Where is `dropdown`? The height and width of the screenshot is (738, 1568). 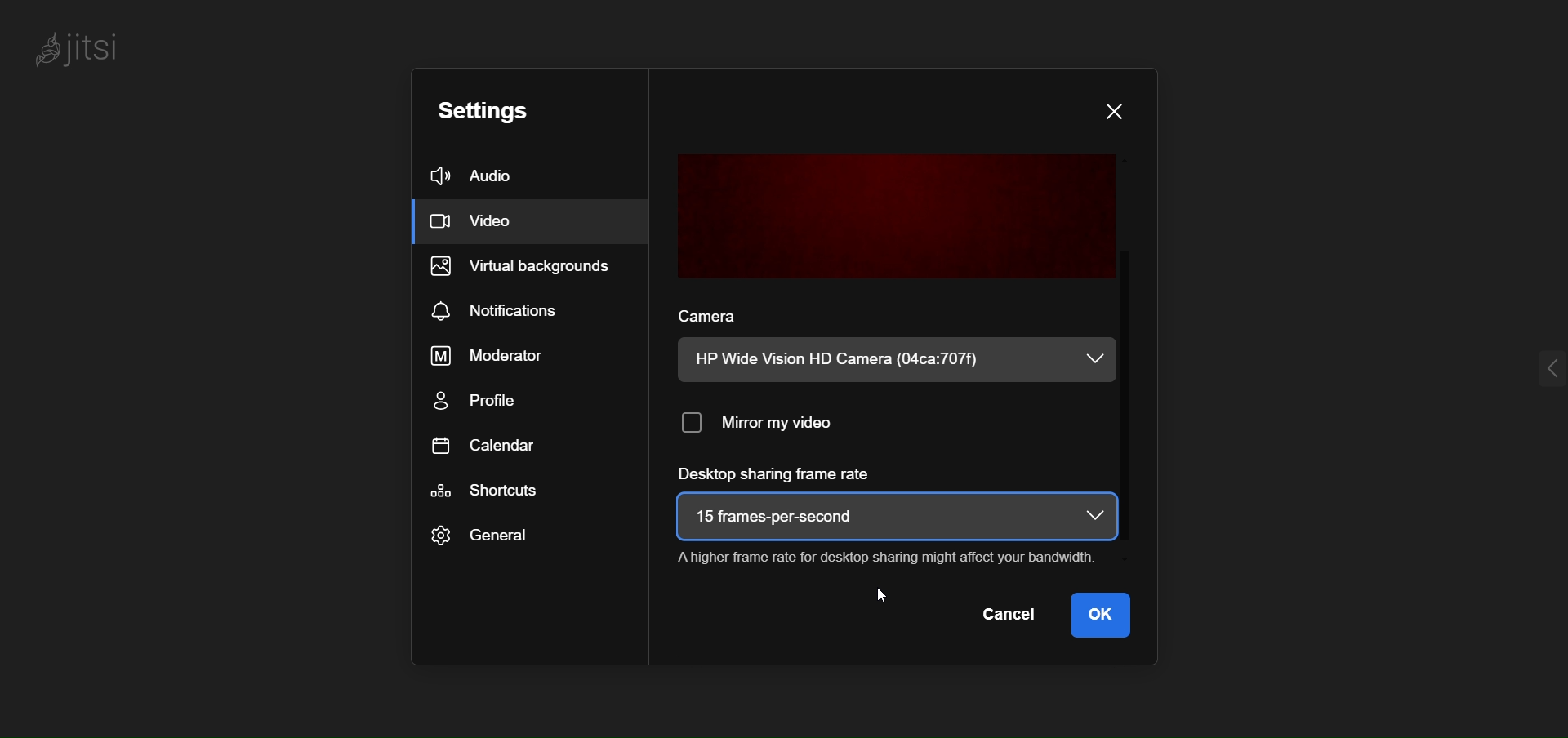
dropdown is located at coordinates (1094, 516).